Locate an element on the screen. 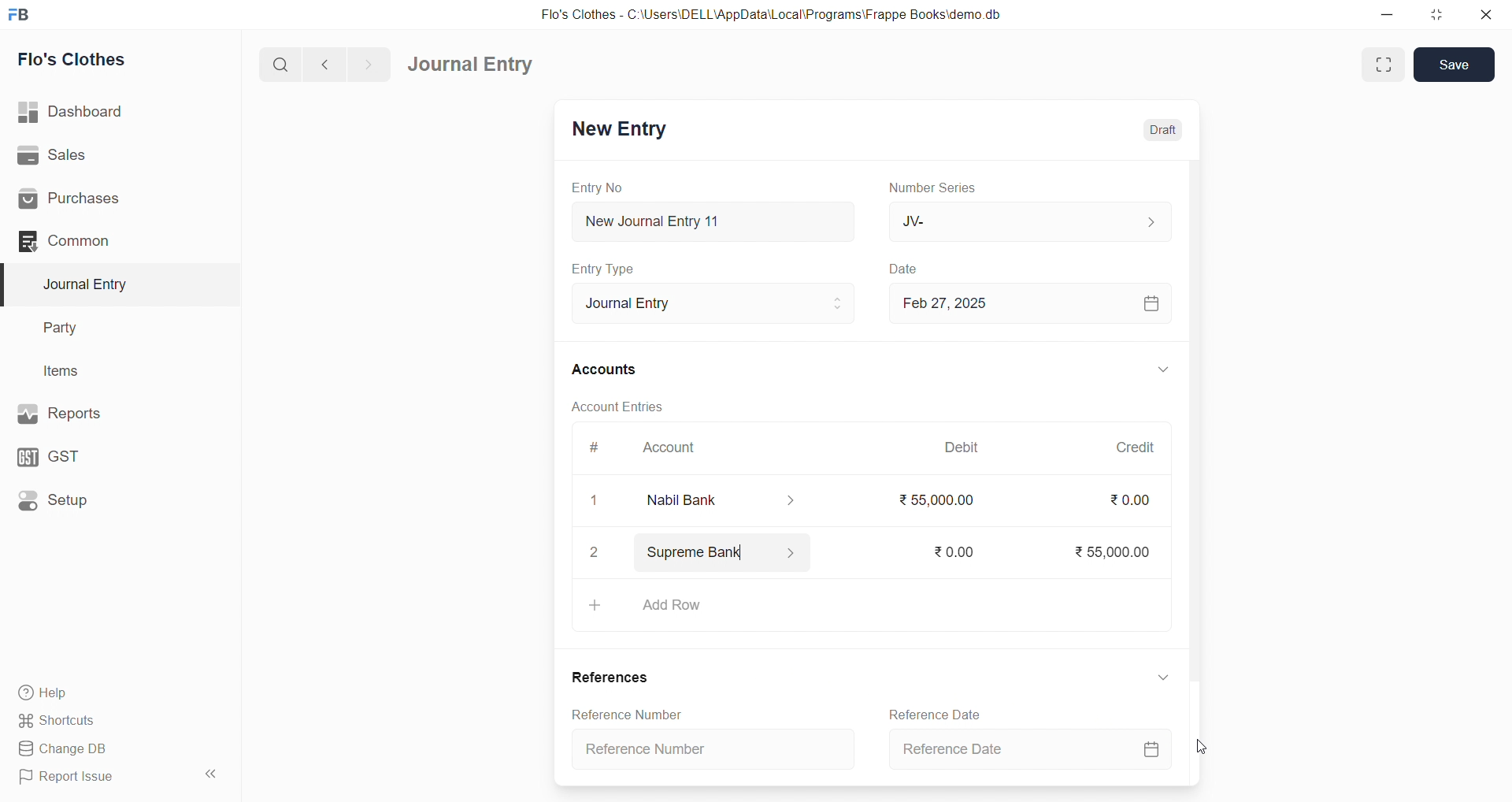  Accounts is located at coordinates (605, 370).